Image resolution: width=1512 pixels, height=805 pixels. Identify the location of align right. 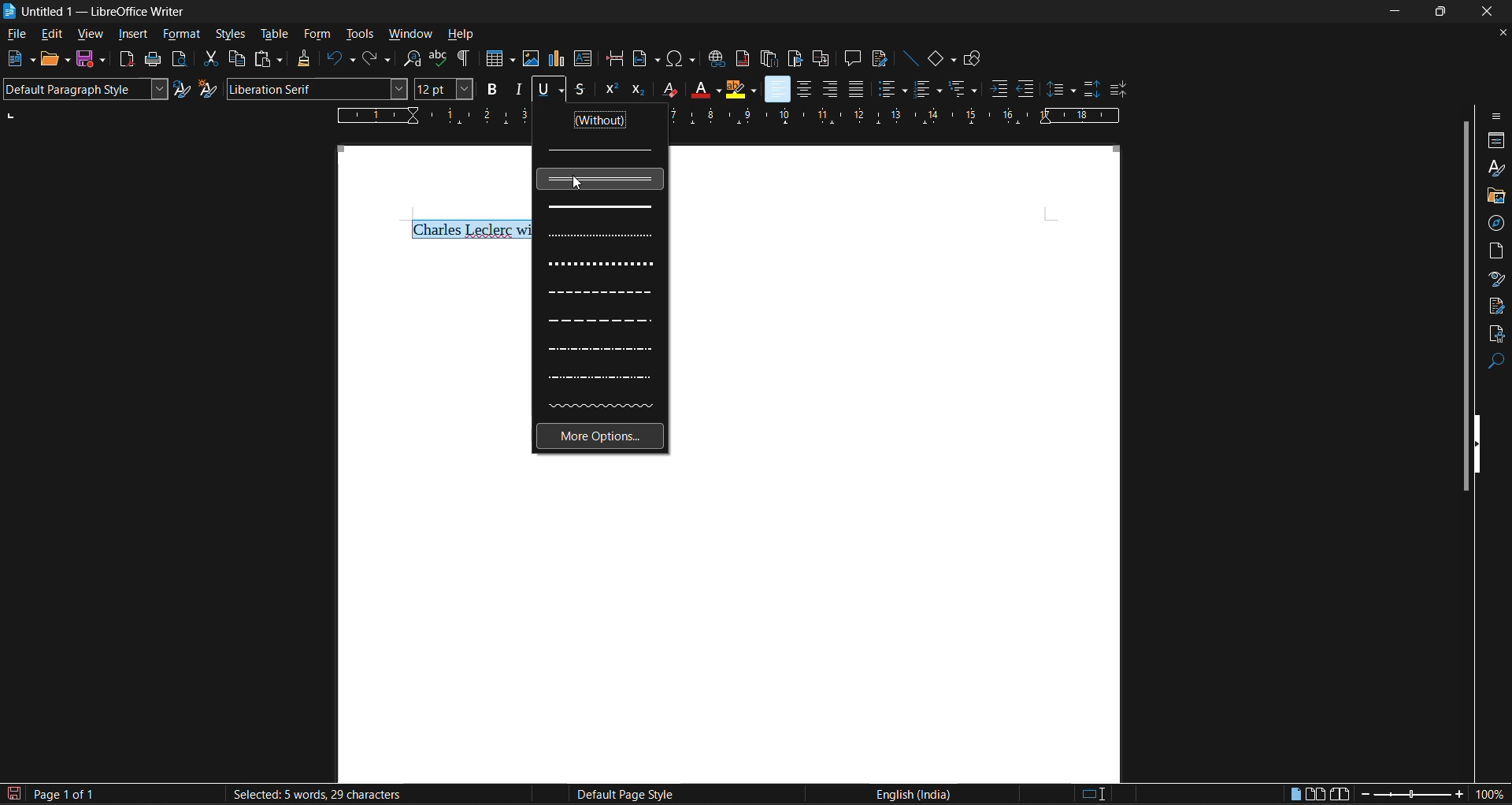
(829, 89).